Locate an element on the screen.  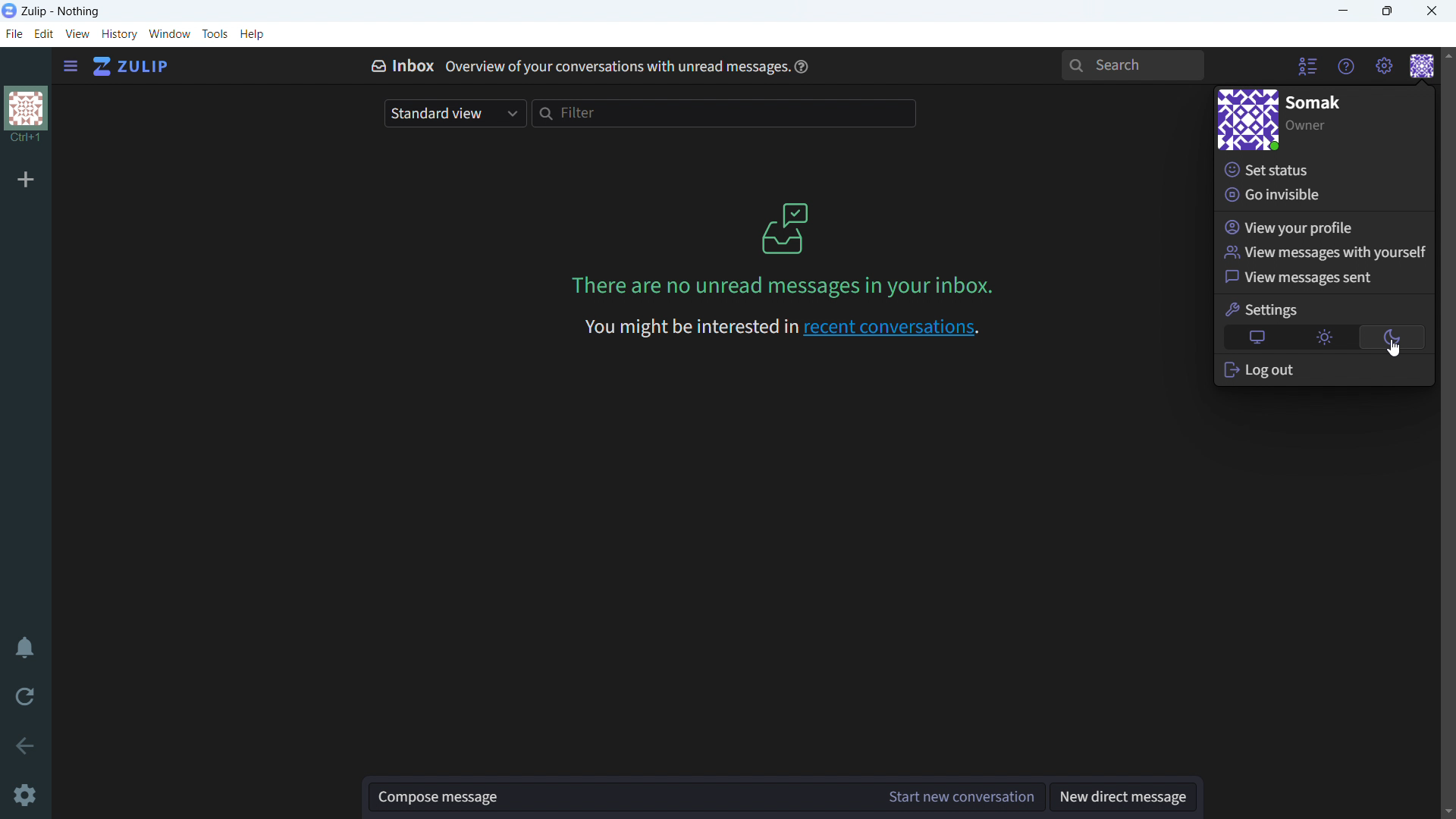
help is located at coordinates (800, 67).